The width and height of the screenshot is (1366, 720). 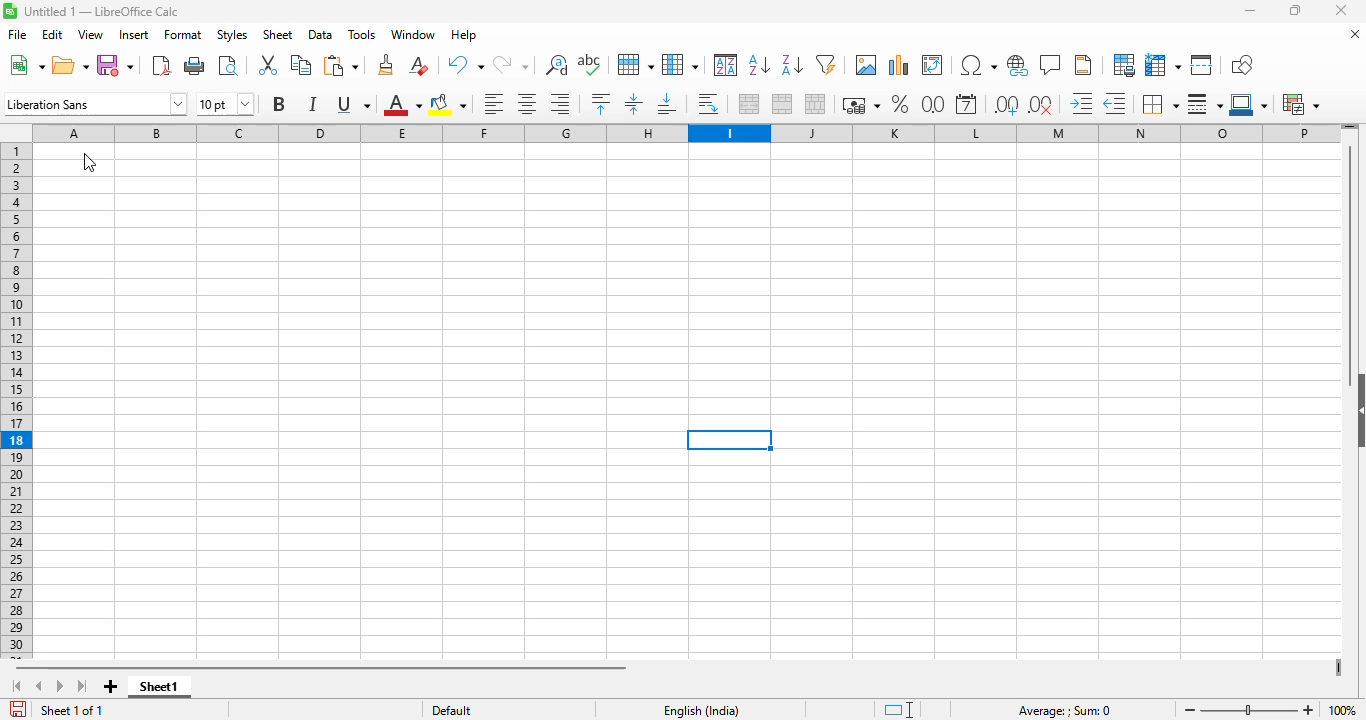 What do you see at coordinates (511, 66) in the screenshot?
I see `redo` at bounding box center [511, 66].